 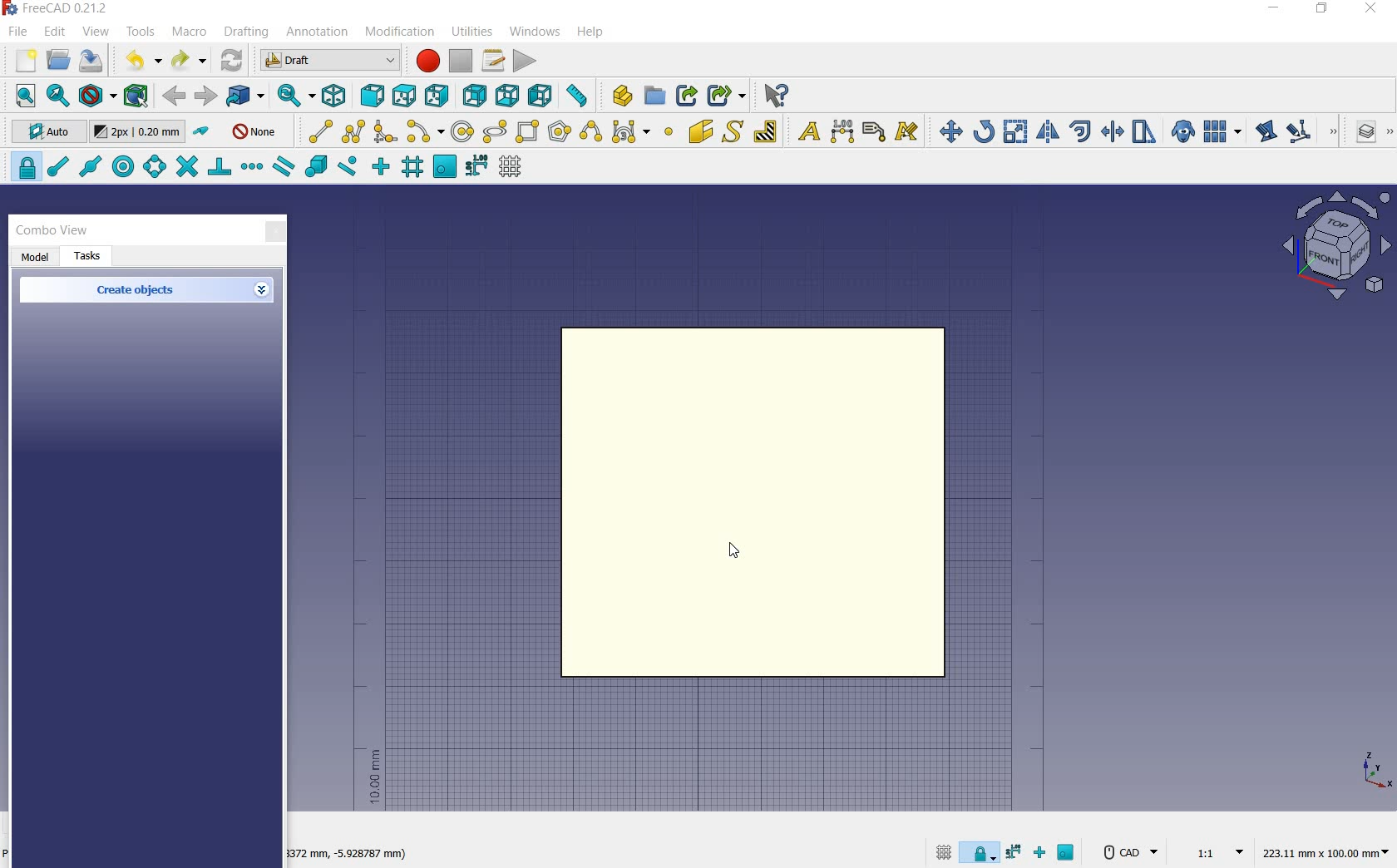 I want to click on rear, so click(x=476, y=96).